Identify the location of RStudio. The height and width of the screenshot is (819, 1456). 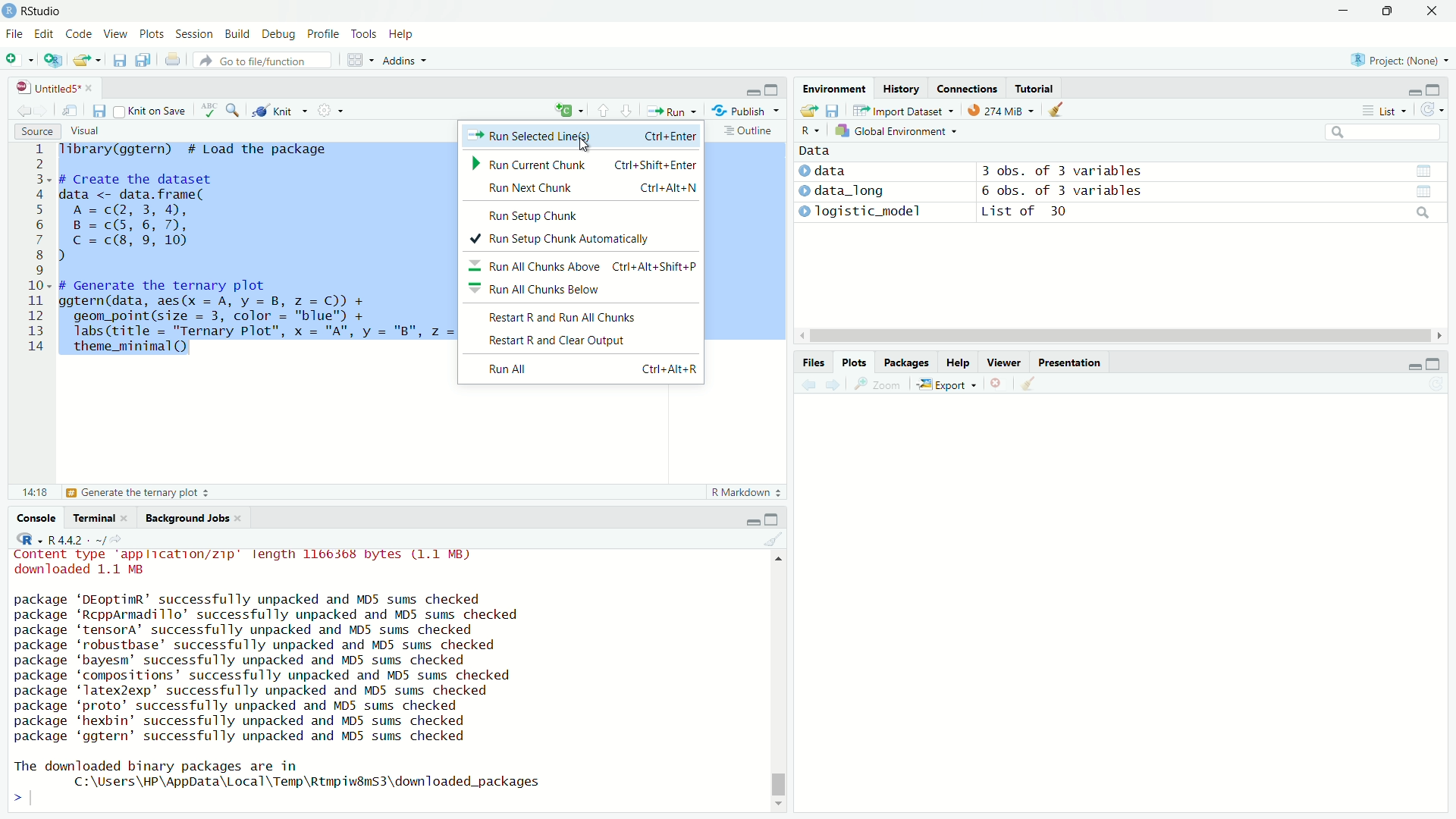
(36, 10).